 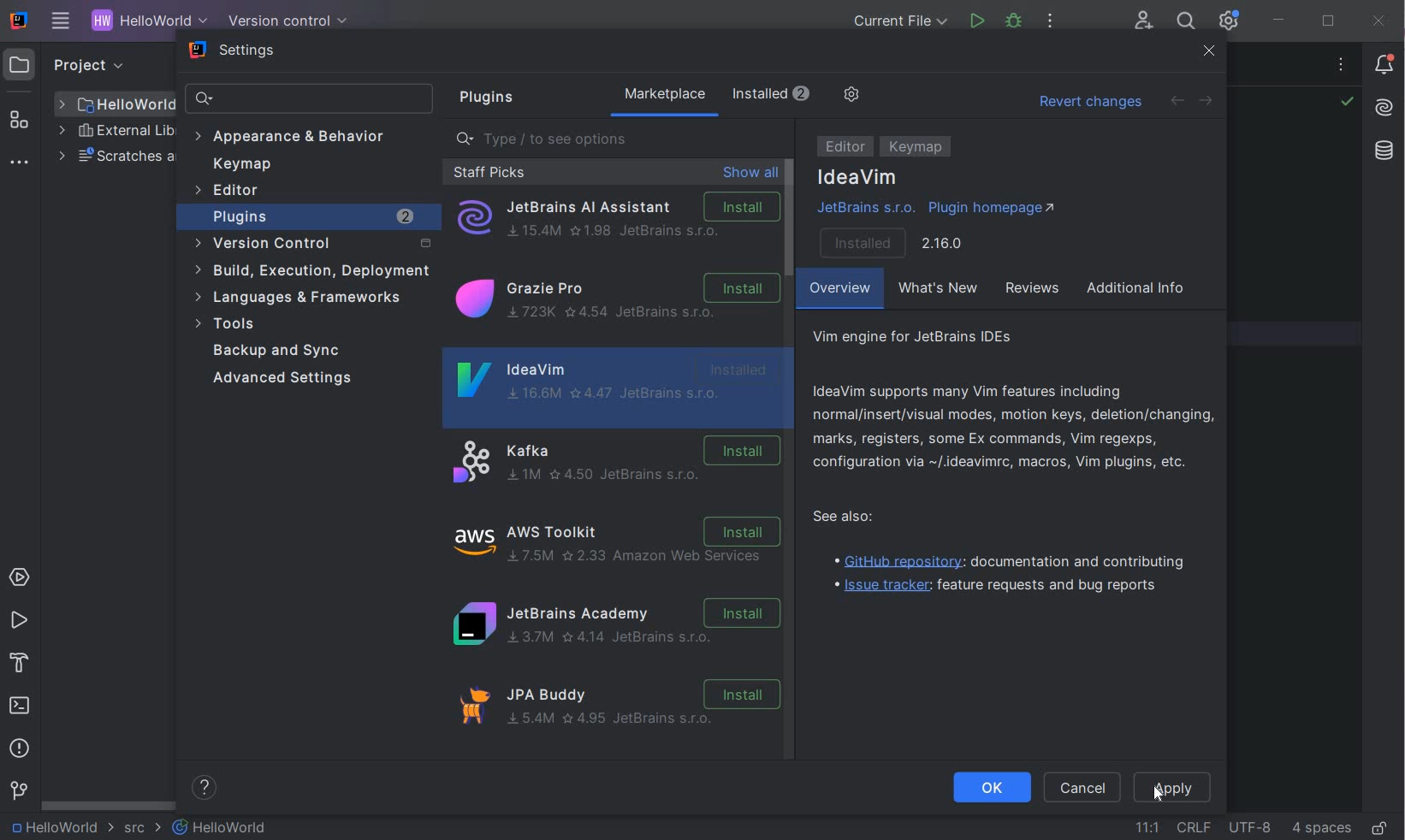 What do you see at coordinates (1034, 290) in the screenshot?
I see `reviews` at bounding box center [1034, 290].